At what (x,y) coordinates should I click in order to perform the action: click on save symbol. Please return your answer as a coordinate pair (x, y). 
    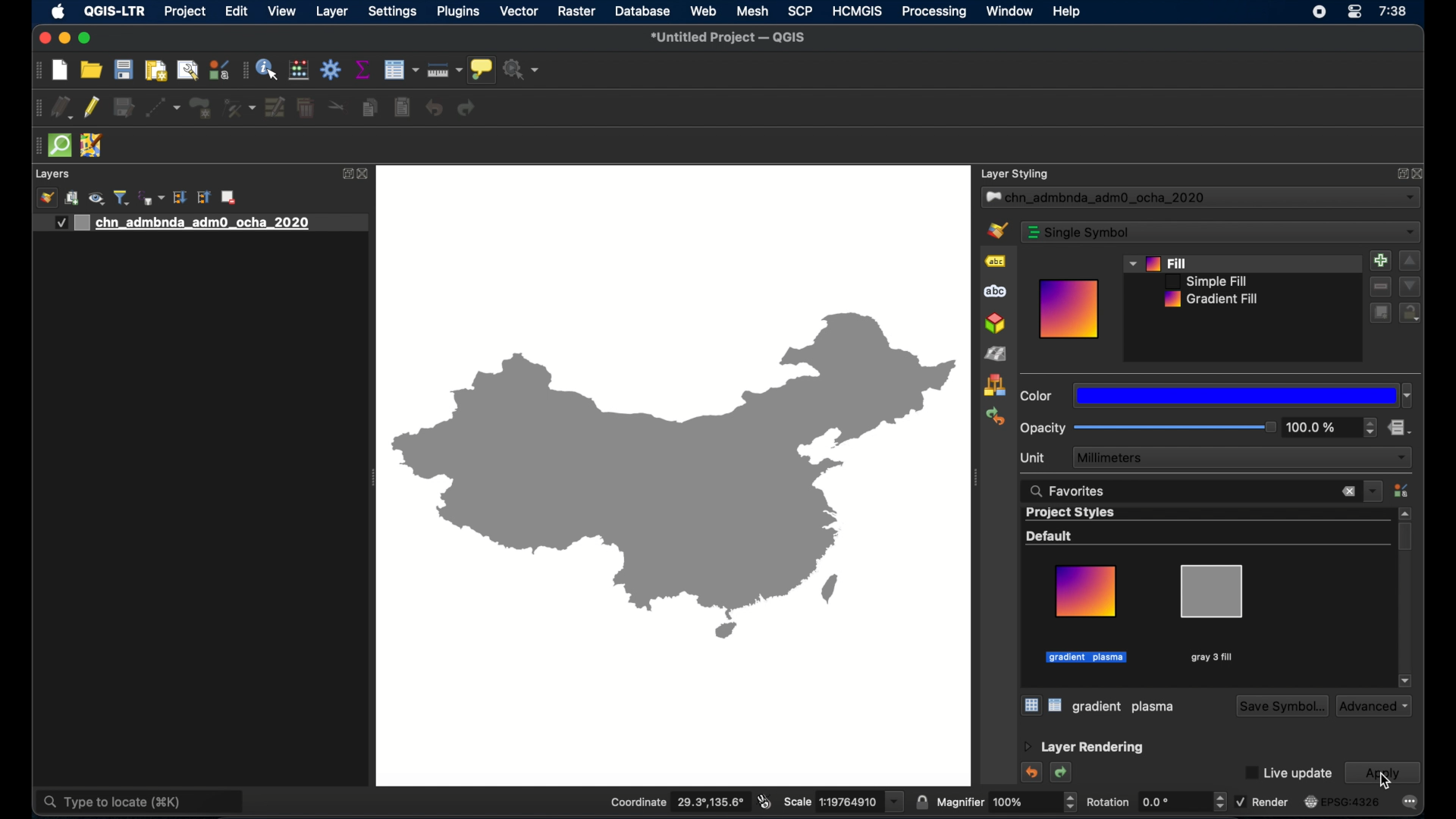
    Looking at the image, I should click on (1280, 707).